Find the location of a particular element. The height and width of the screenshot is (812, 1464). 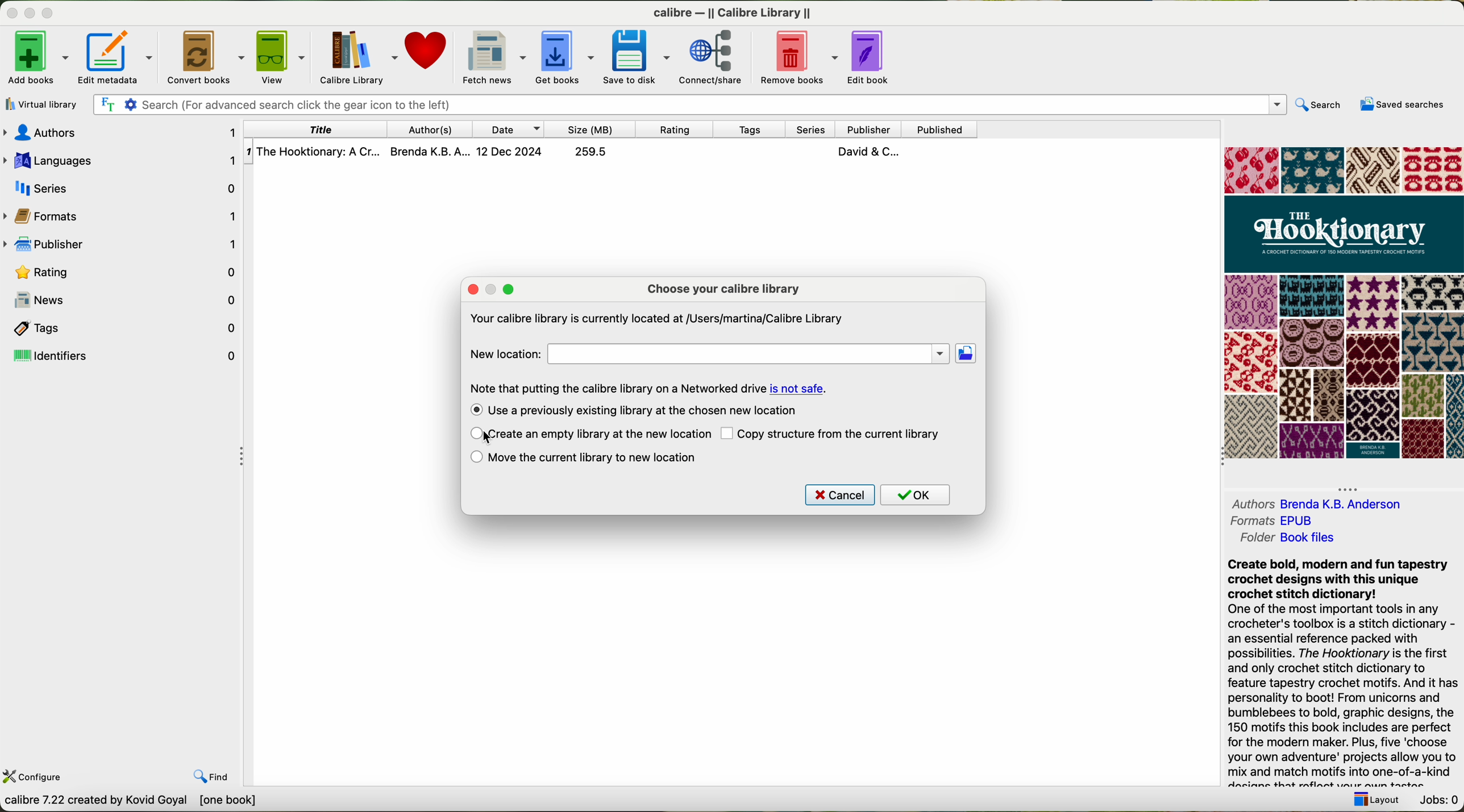

search is located at coordinates (1321, 105).